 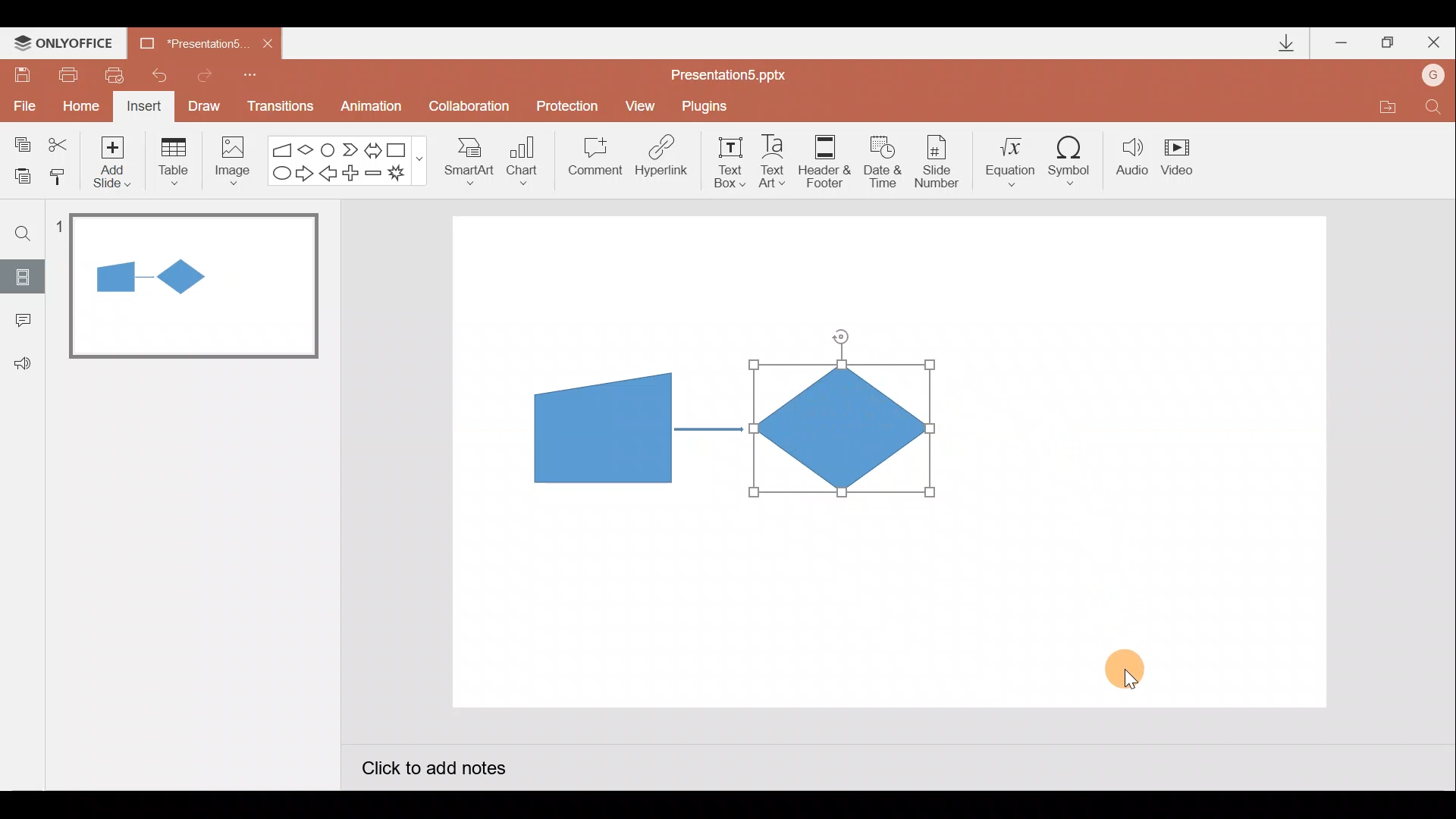 What do you see at coordinates (228, 160) in the screenshot?
I see `Image` at bounding box center [228, 160].